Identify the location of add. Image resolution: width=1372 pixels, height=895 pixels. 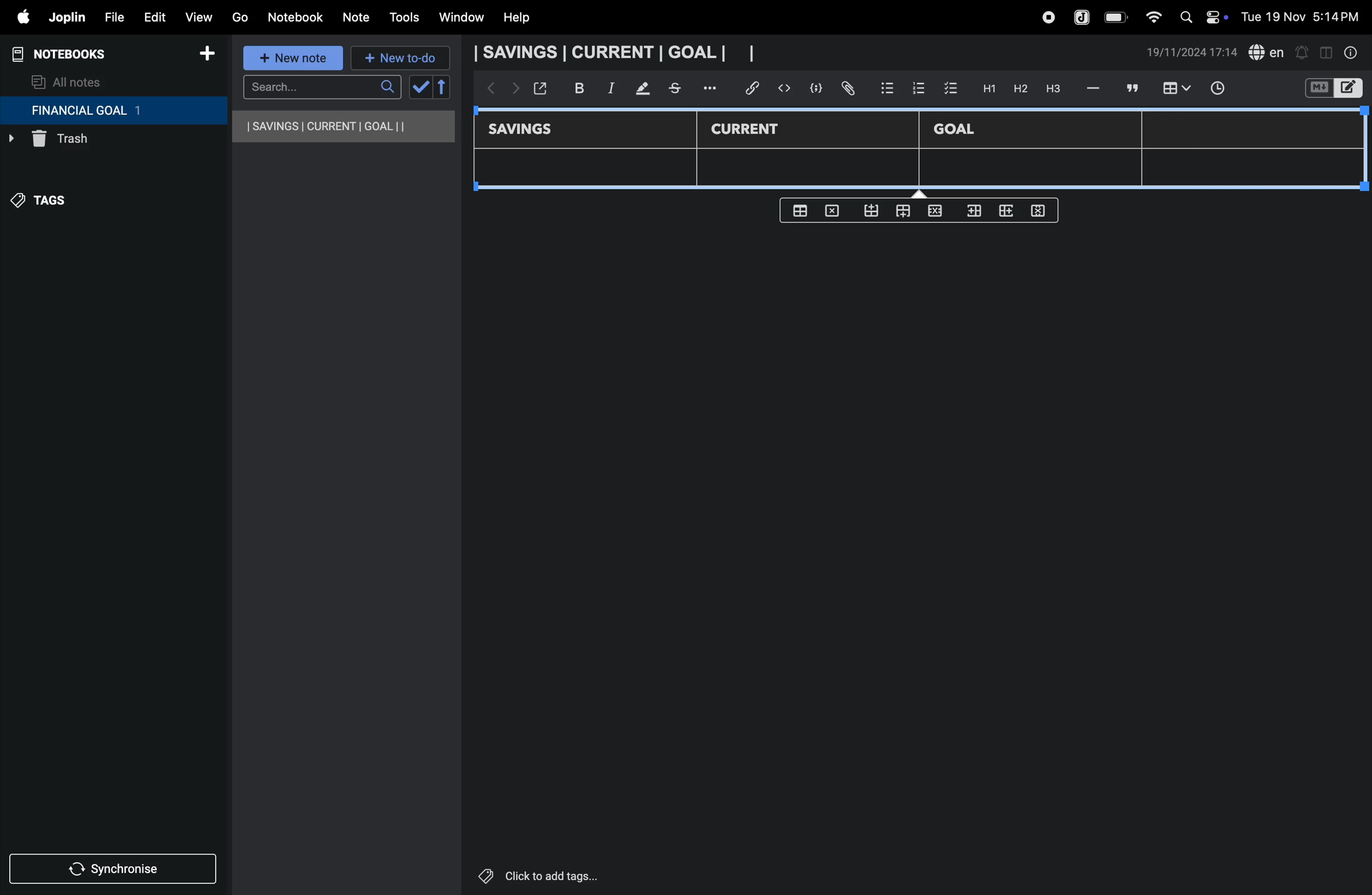
(207, 55).